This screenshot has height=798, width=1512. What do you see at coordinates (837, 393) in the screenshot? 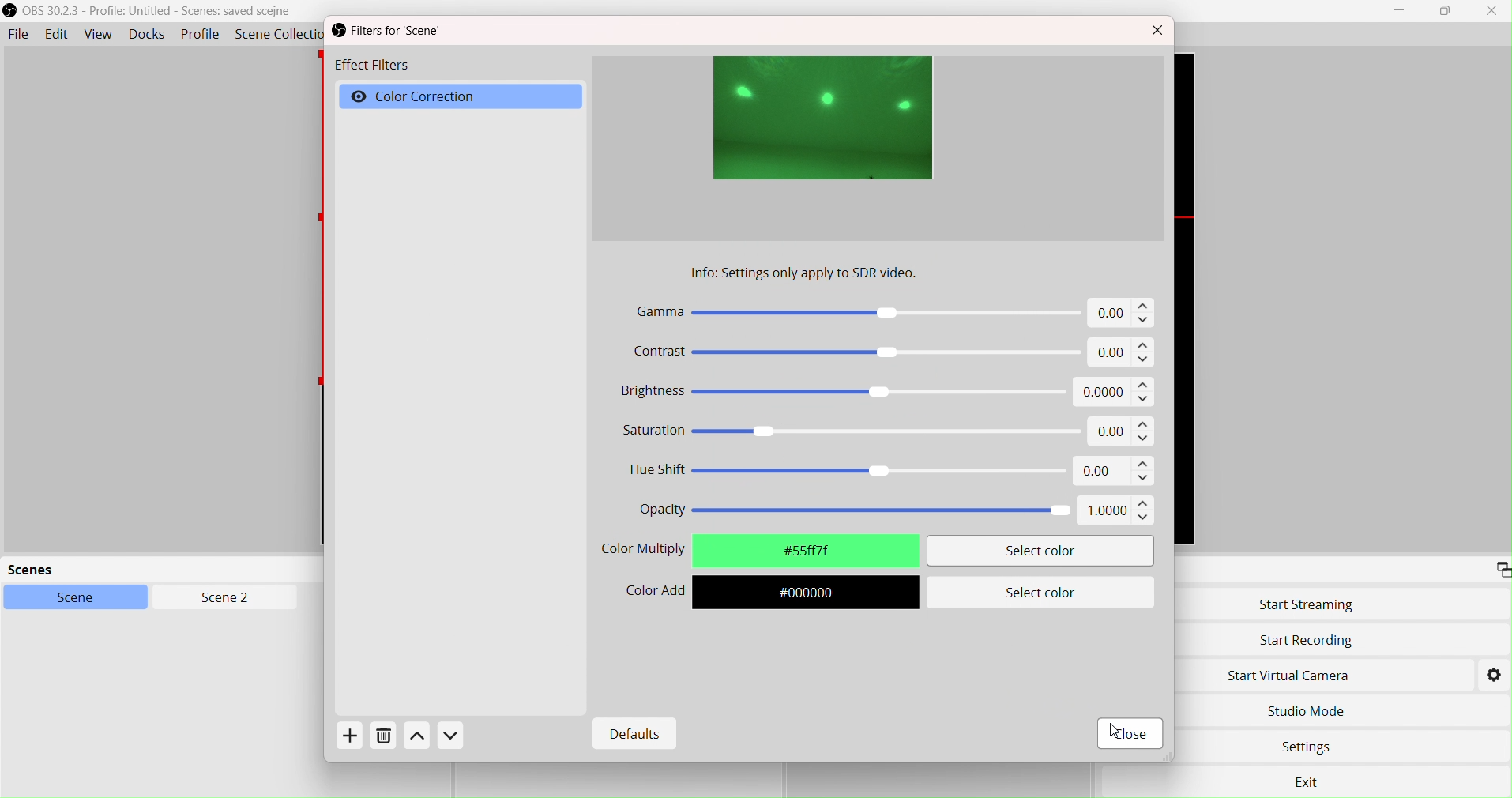
I see `Brightness -` at bounding box center [837, 393].